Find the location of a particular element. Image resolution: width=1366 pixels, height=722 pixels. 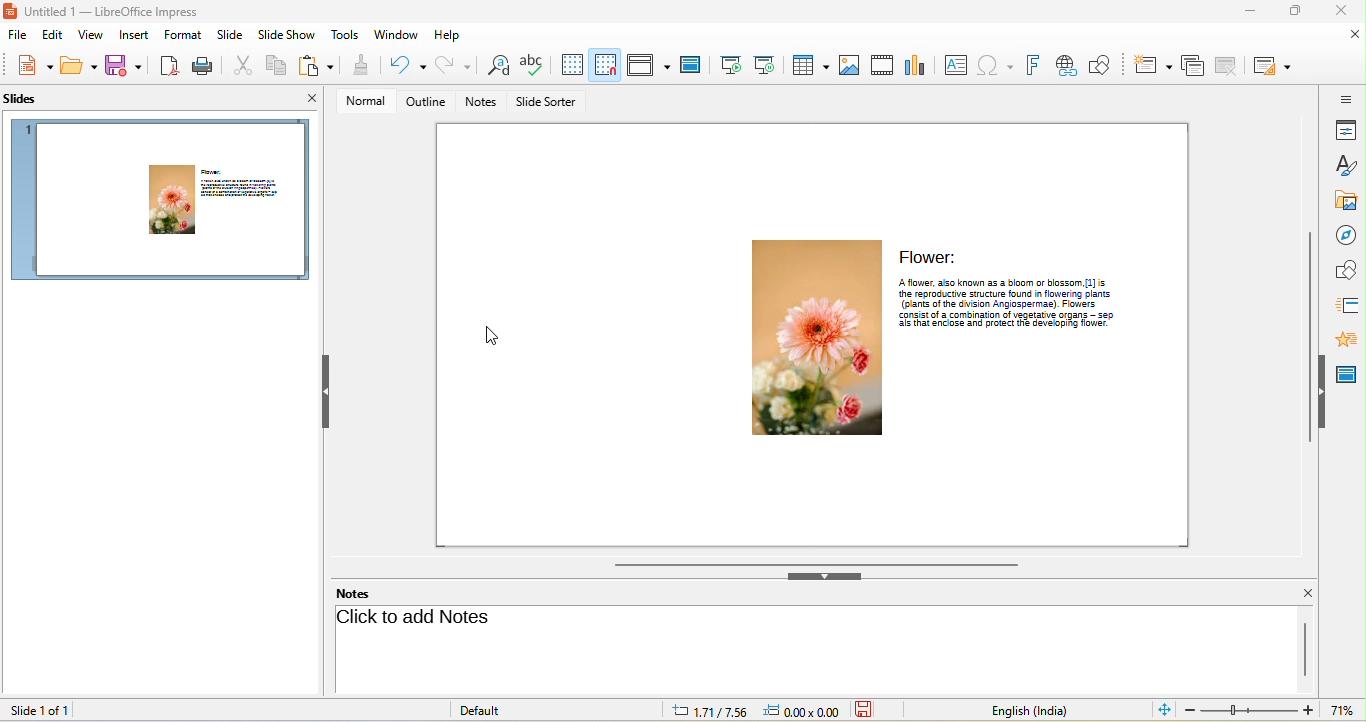

minimize is located at coordinates (1247, 12).